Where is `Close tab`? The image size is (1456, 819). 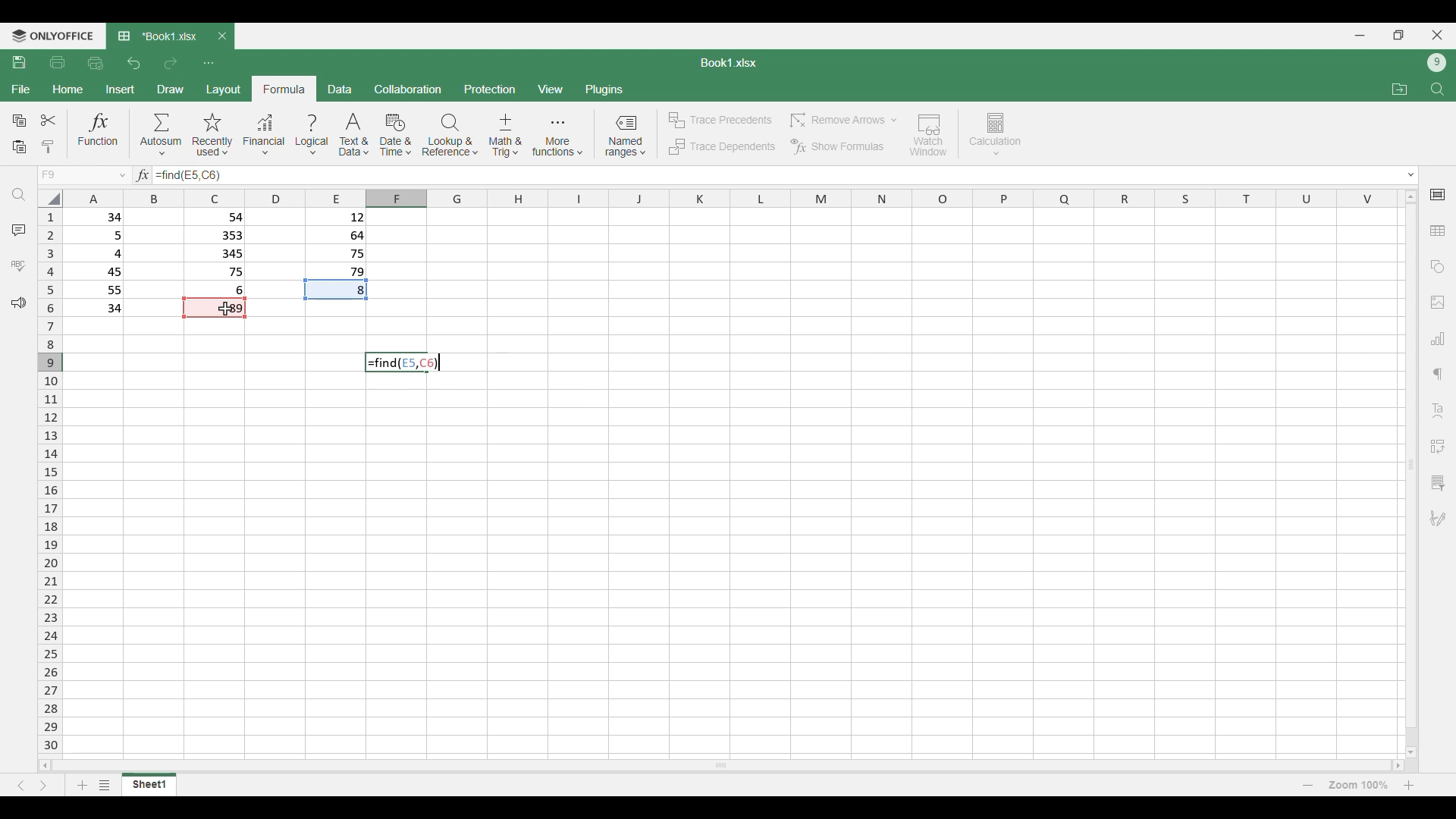 Close tab is located at coordinates (223, 36).